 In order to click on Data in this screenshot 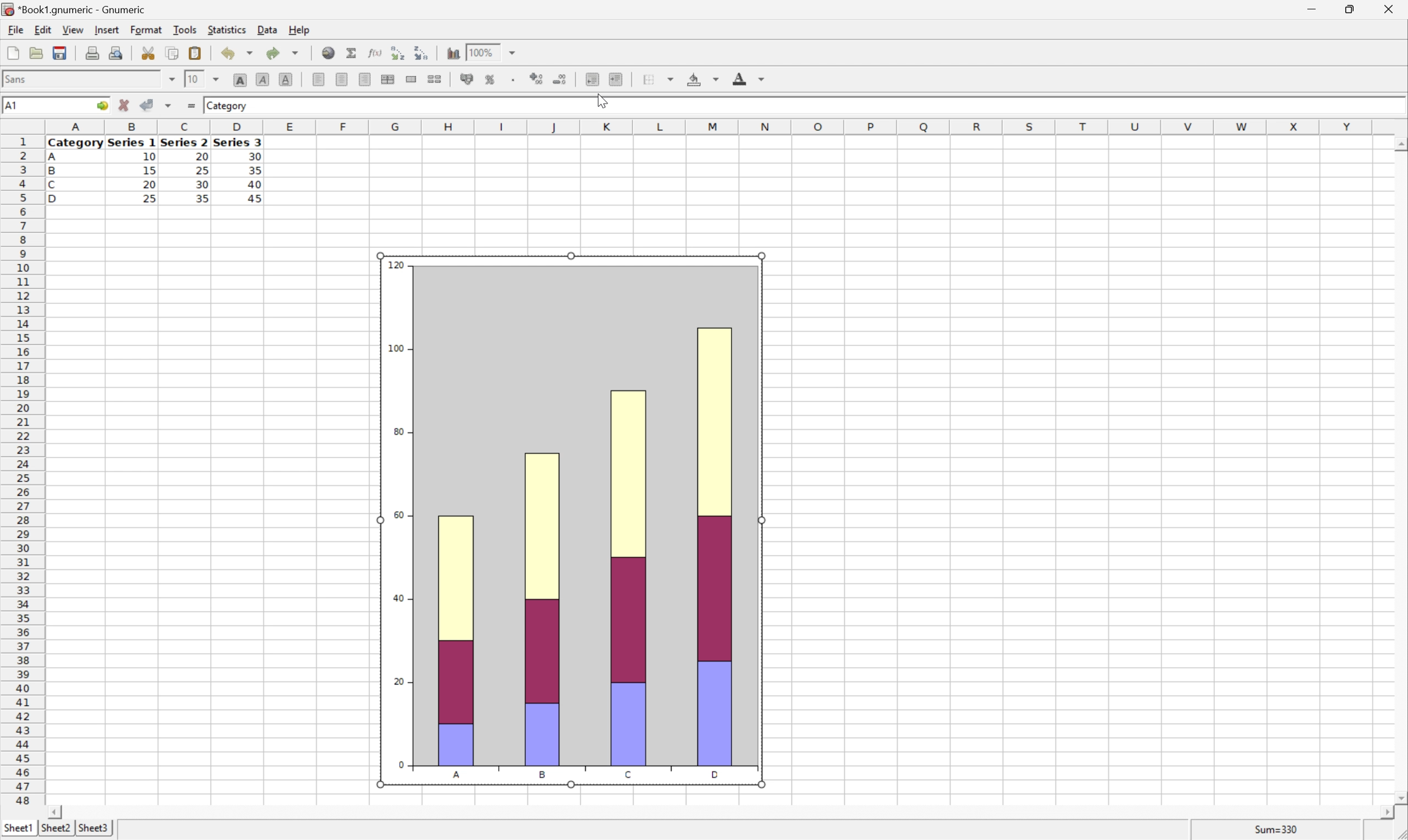, I will do `click(268, 28)`.